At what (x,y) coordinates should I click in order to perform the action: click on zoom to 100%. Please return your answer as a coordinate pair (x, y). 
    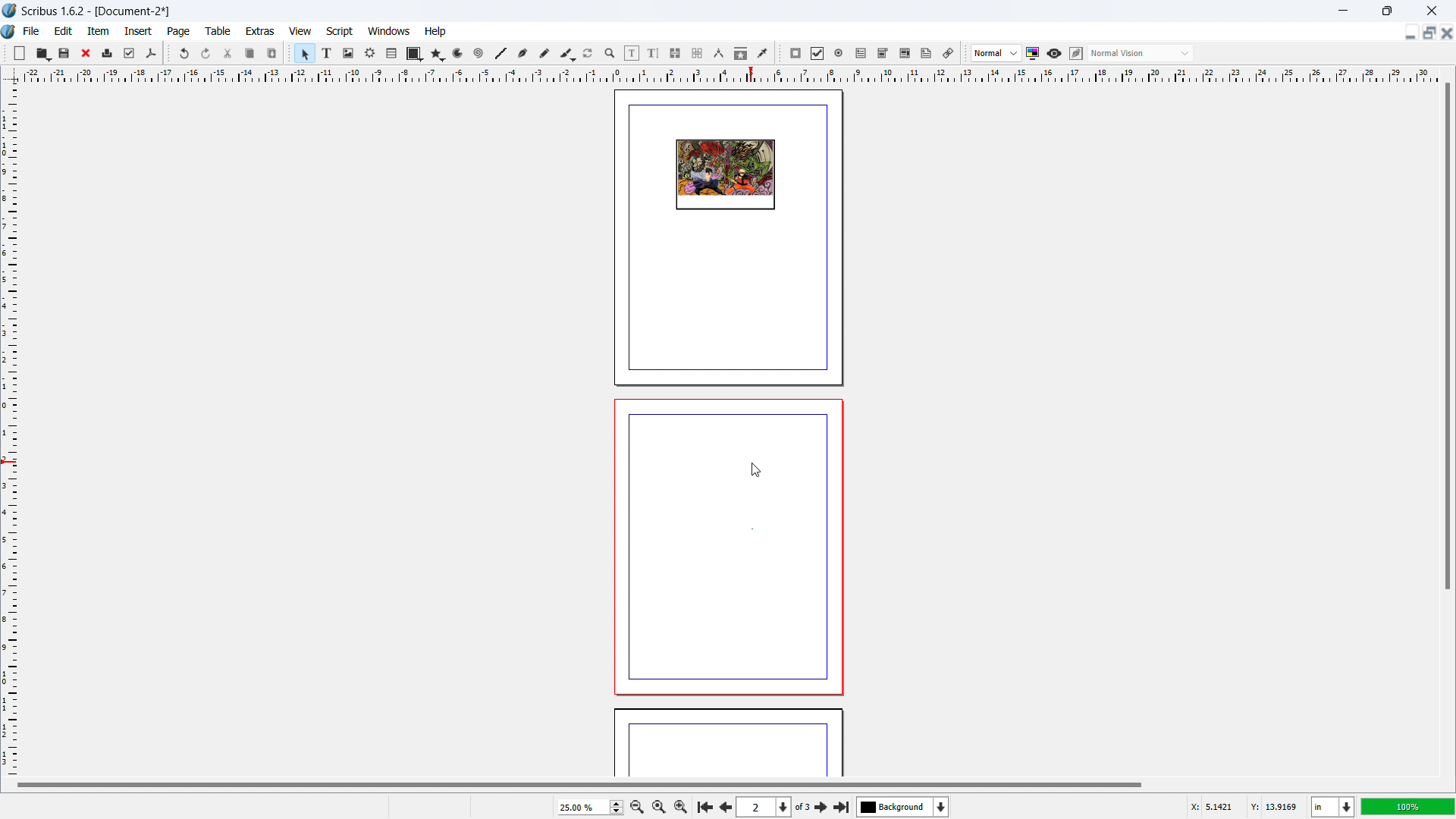
    Looking at the image, I should click on (658, 805).